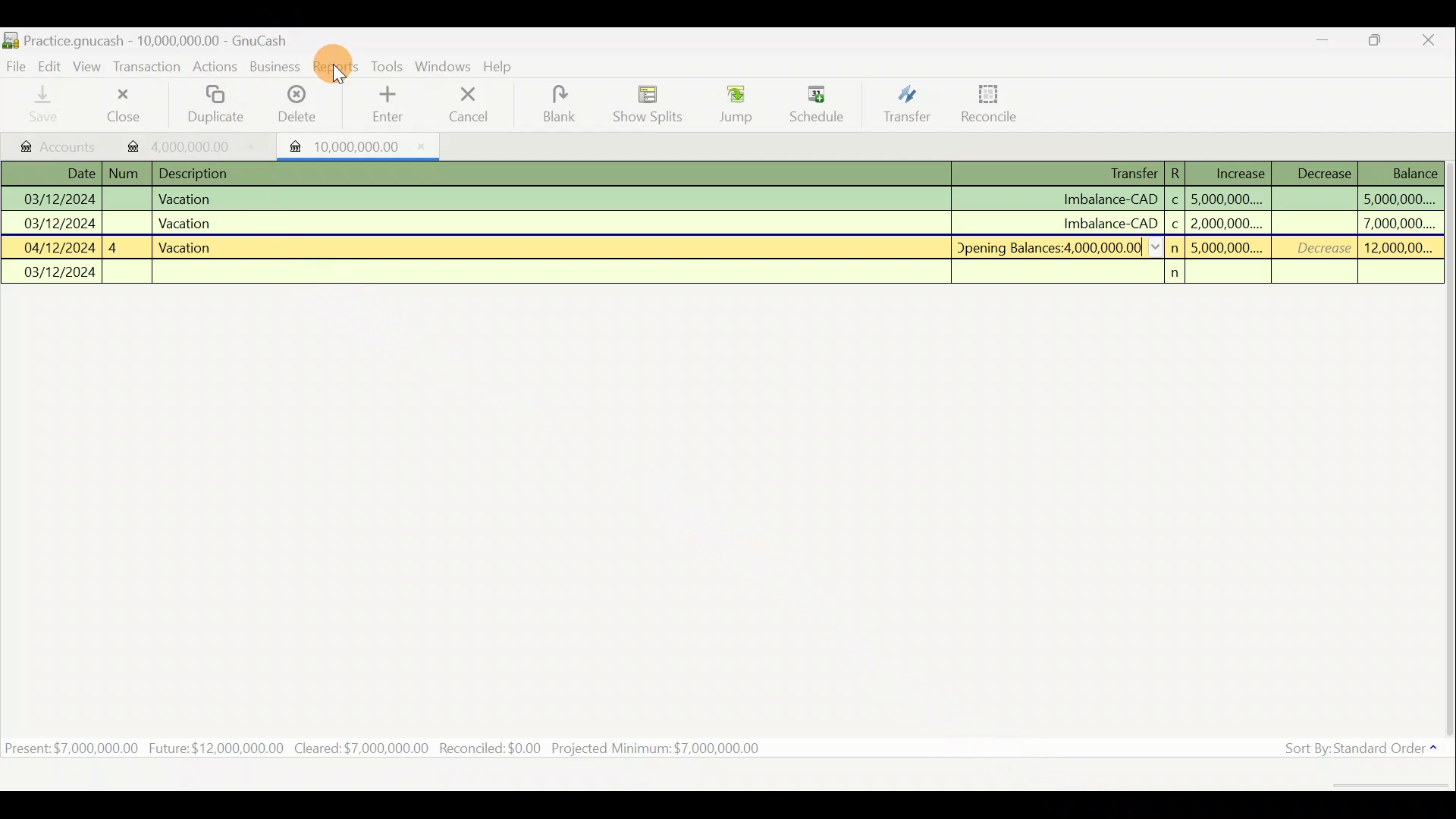 The height and width of the screenshot is (819, 1456). I want to click on Business, so click(275, 65).